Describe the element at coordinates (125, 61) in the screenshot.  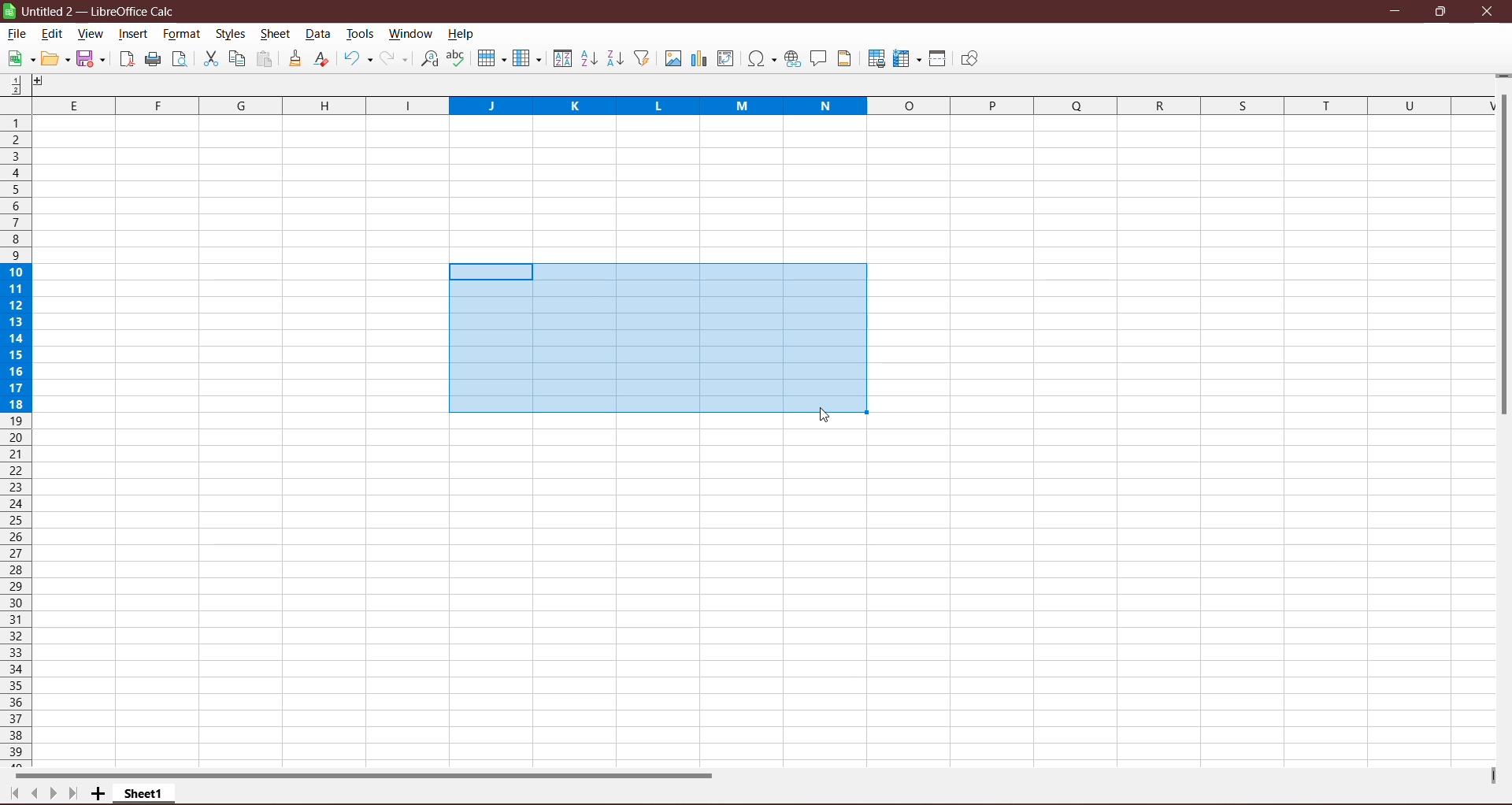
I see `Export directly as PDF` at that location.